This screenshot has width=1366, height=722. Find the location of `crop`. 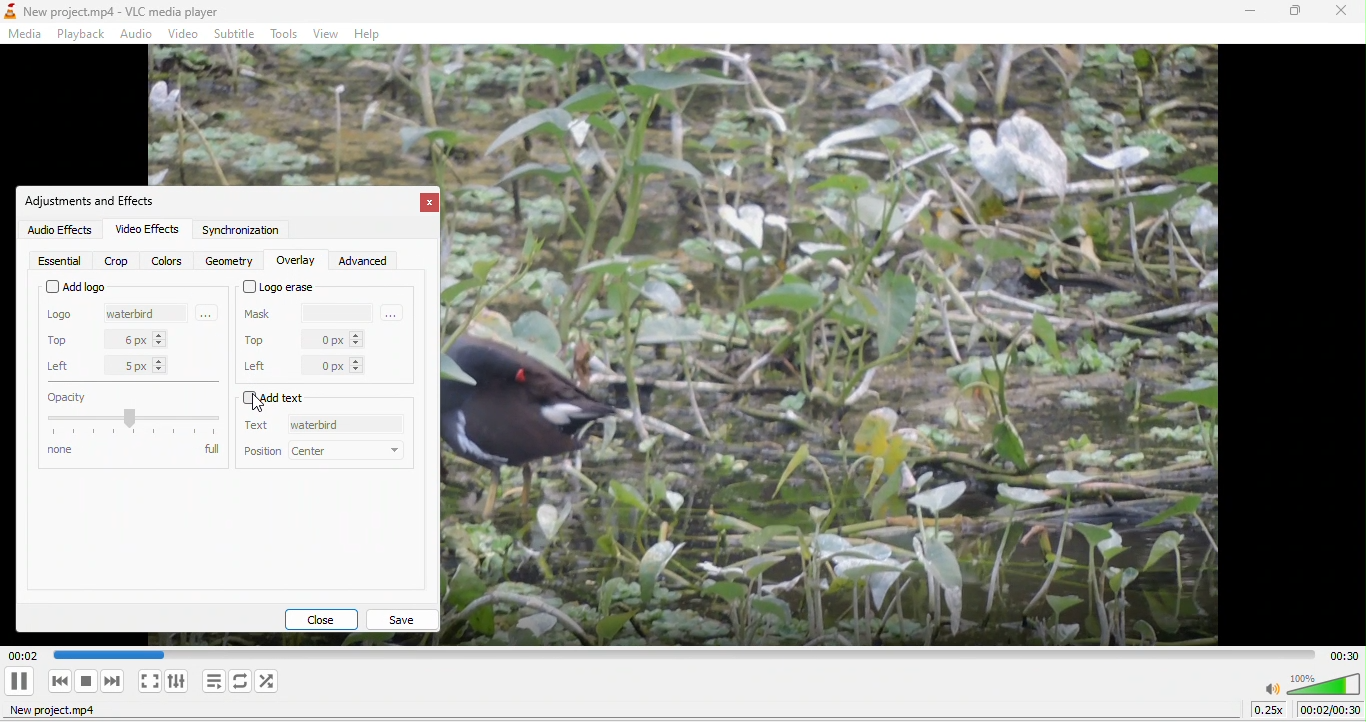

crop is located at coordinates (119, 259).